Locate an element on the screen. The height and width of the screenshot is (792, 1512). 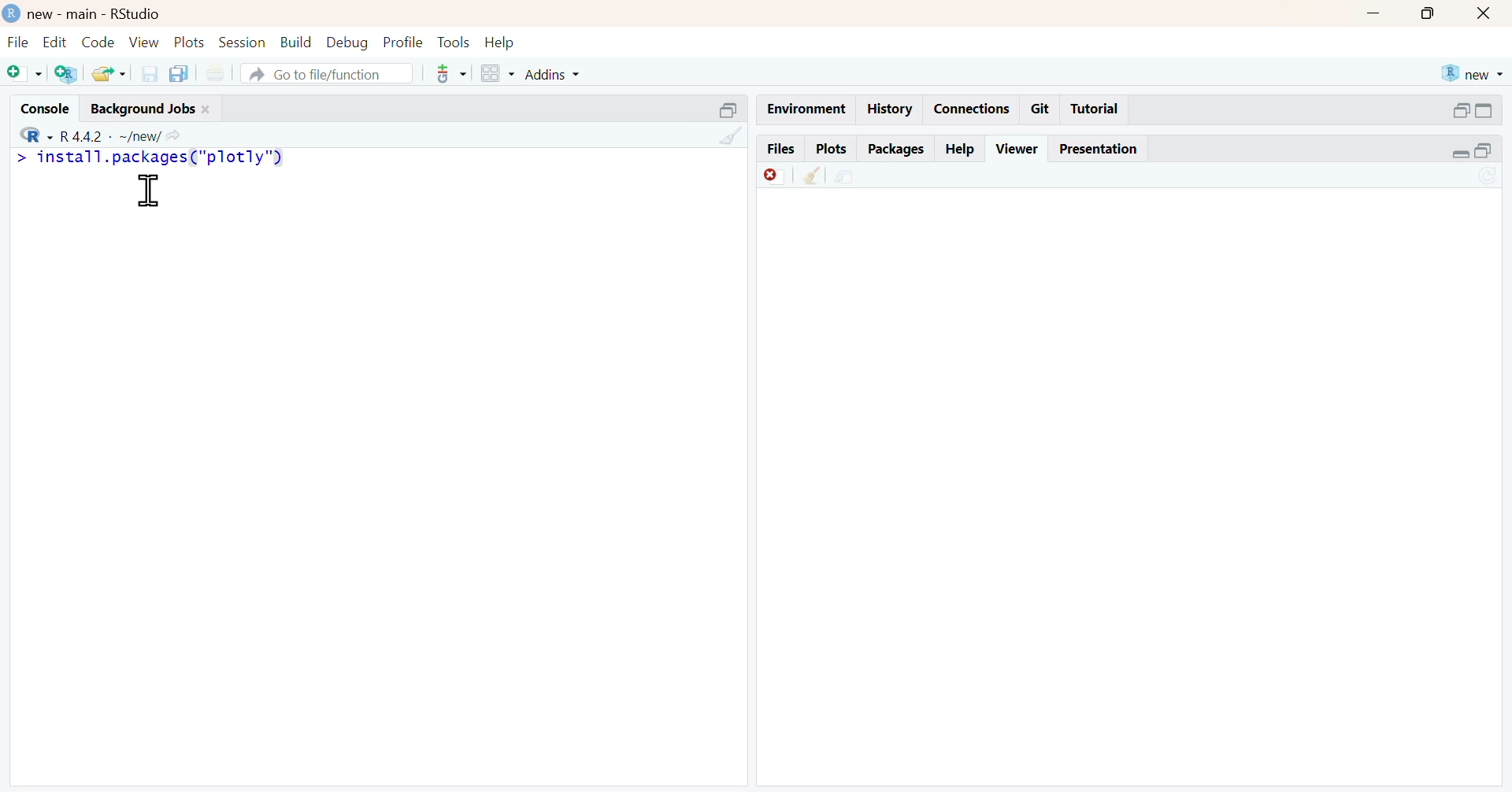
install.packages("plotly") is located at coordinates (165, 157).